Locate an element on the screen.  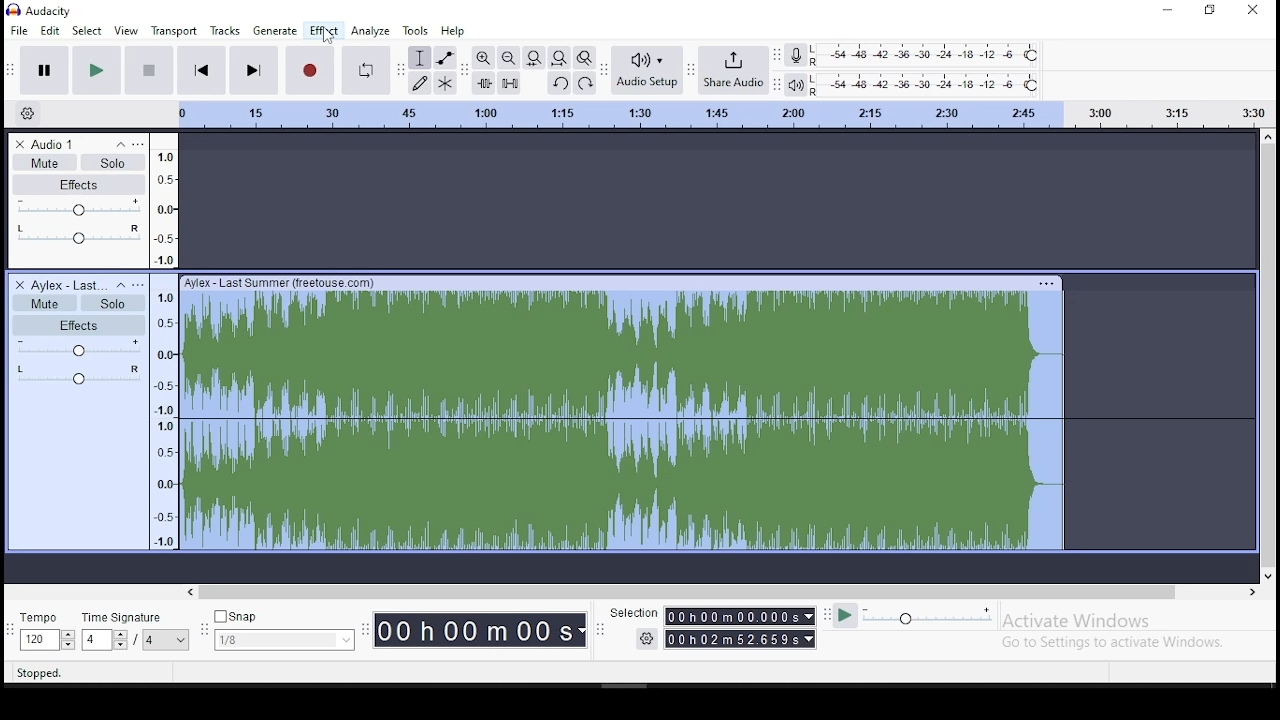
timer is located at coordinates (480, 627).